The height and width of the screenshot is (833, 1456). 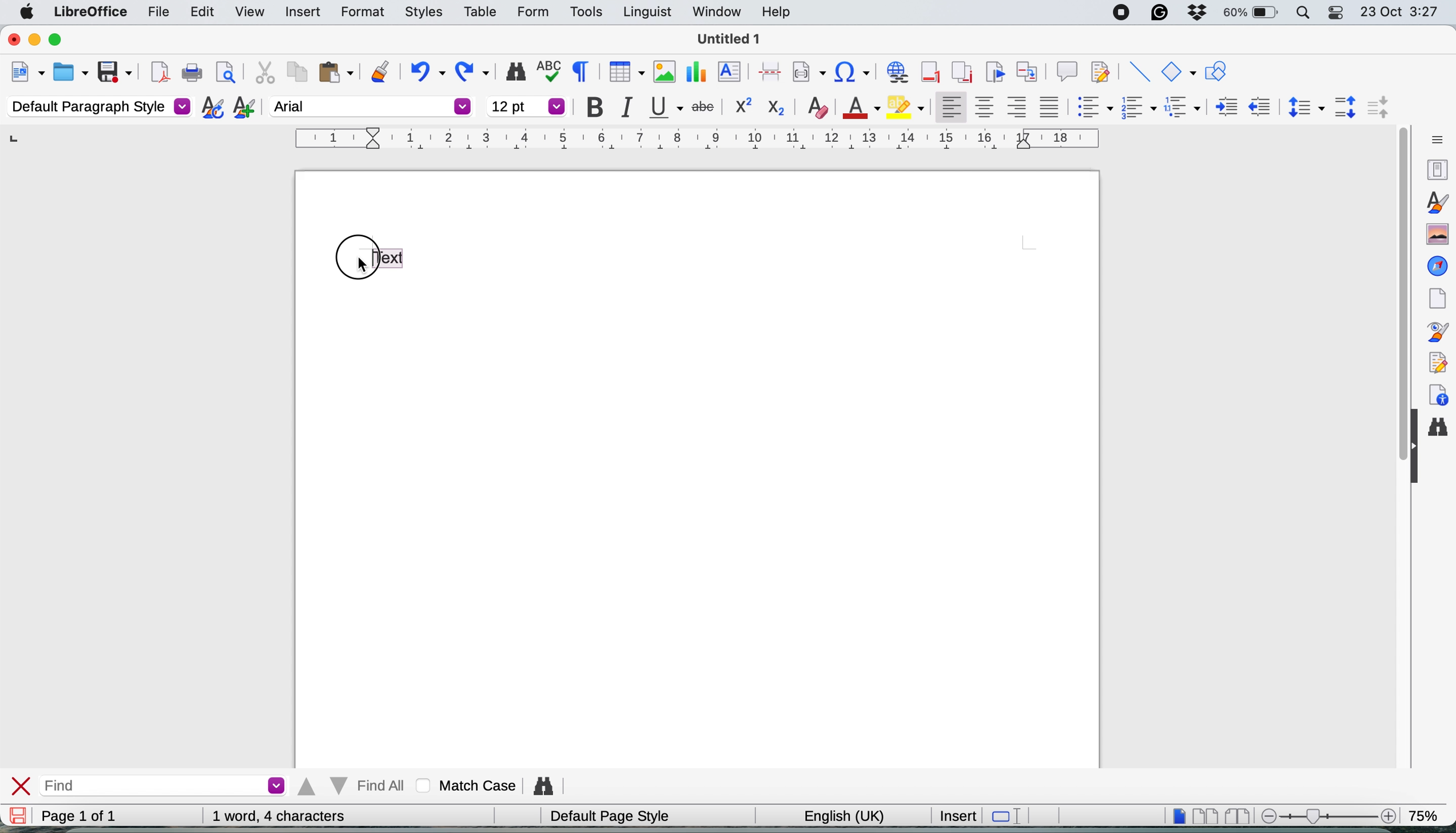 I want to click on help, so click(x=776, y=13).